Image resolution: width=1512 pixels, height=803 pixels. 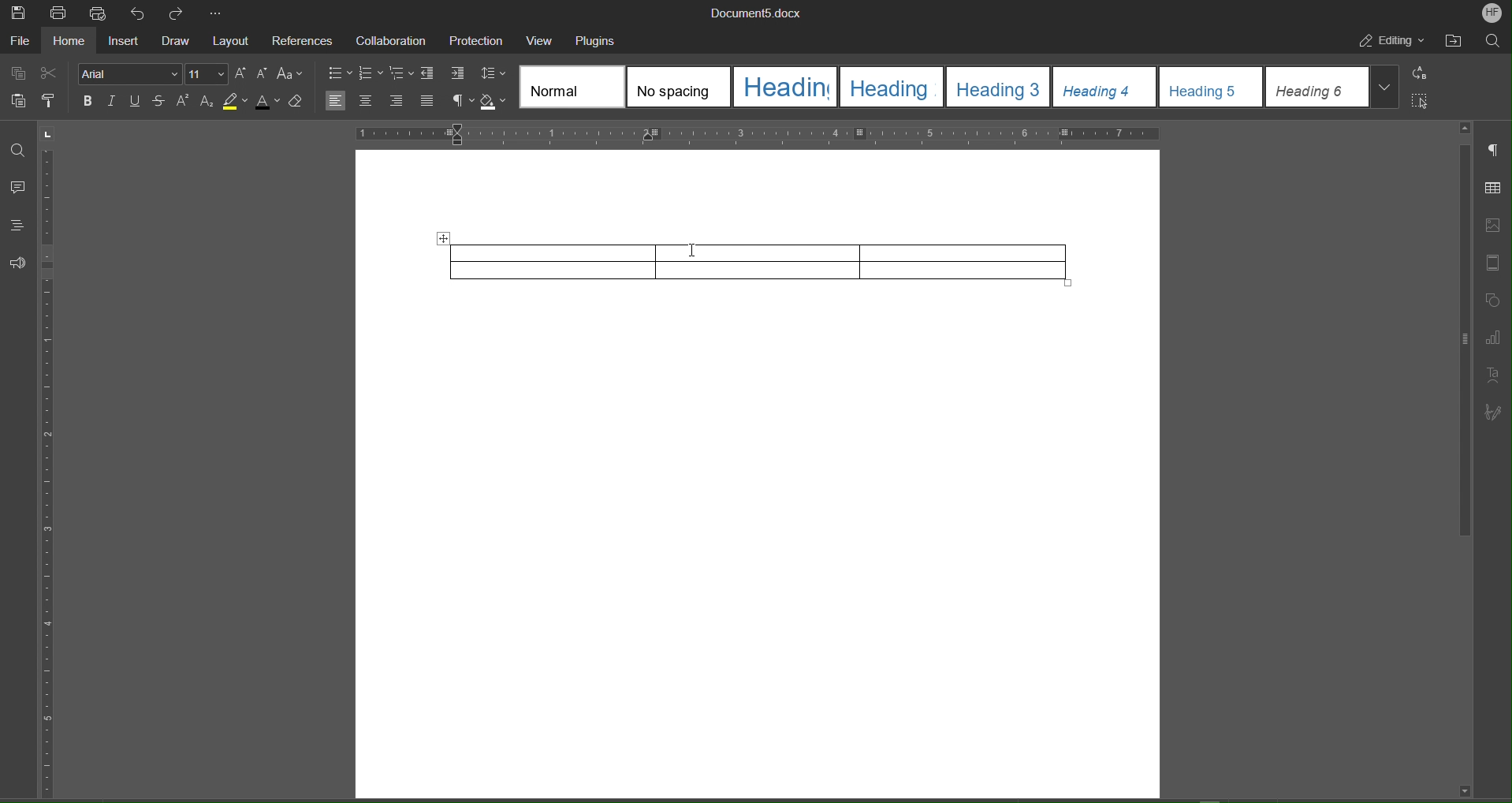 What do you see at coordinates (1495, 263) in the screenshot?
I see `Header and Footer` at bounding box center [1495, 263].